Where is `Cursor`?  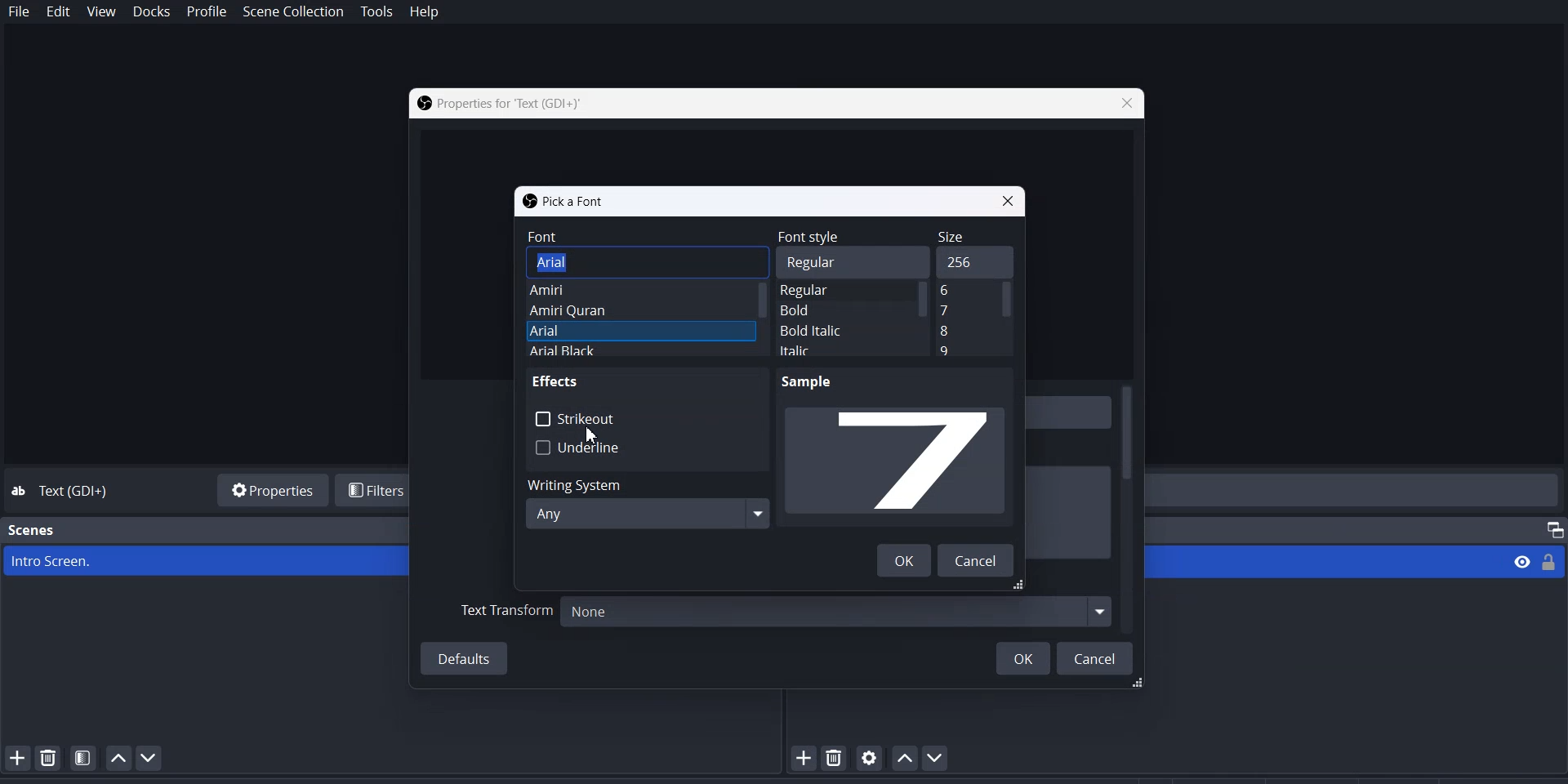 Cursor is located at coordinates (590, 435).